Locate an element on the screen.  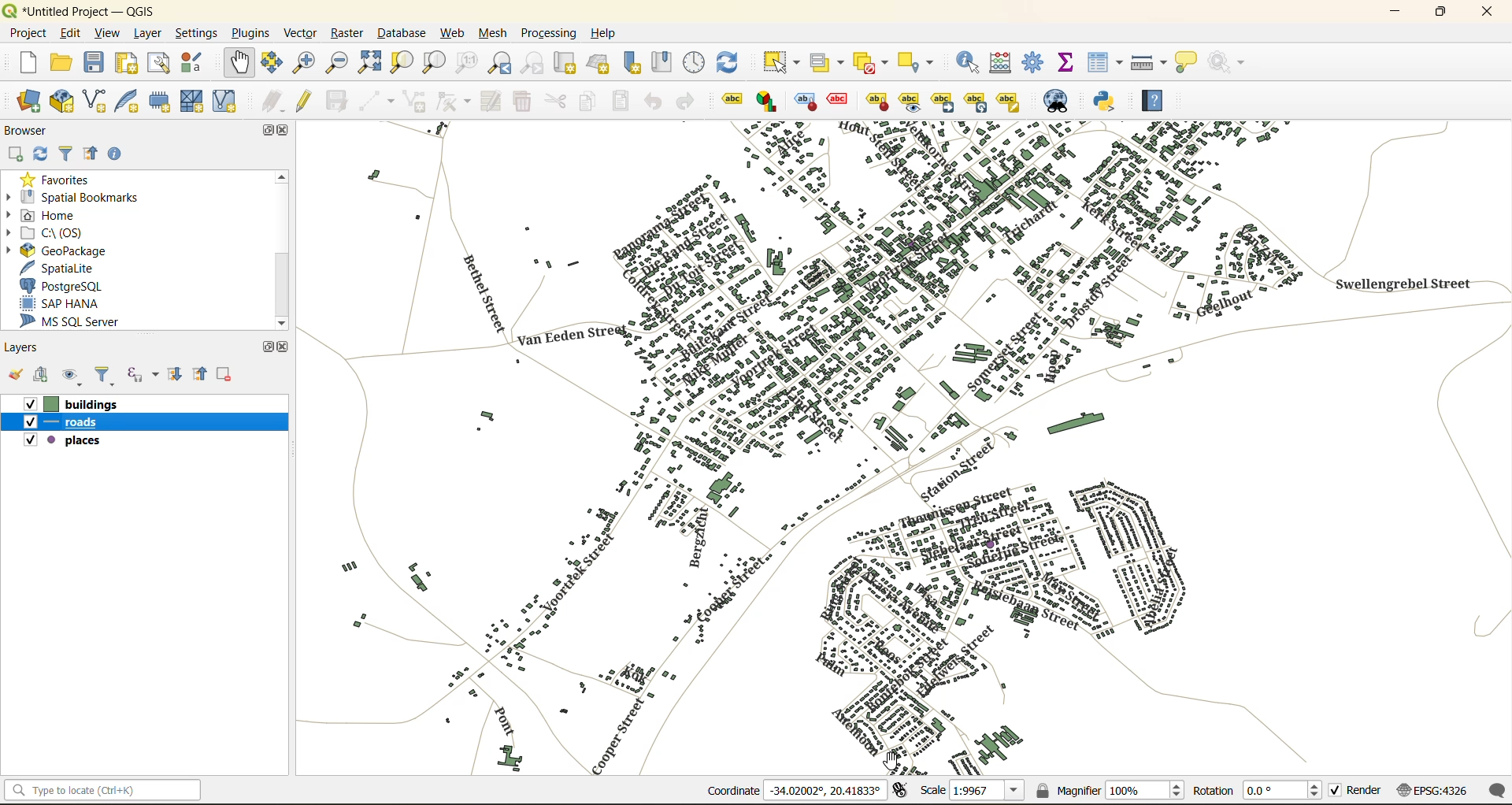
show tips is located at coordinates (1187, 63).